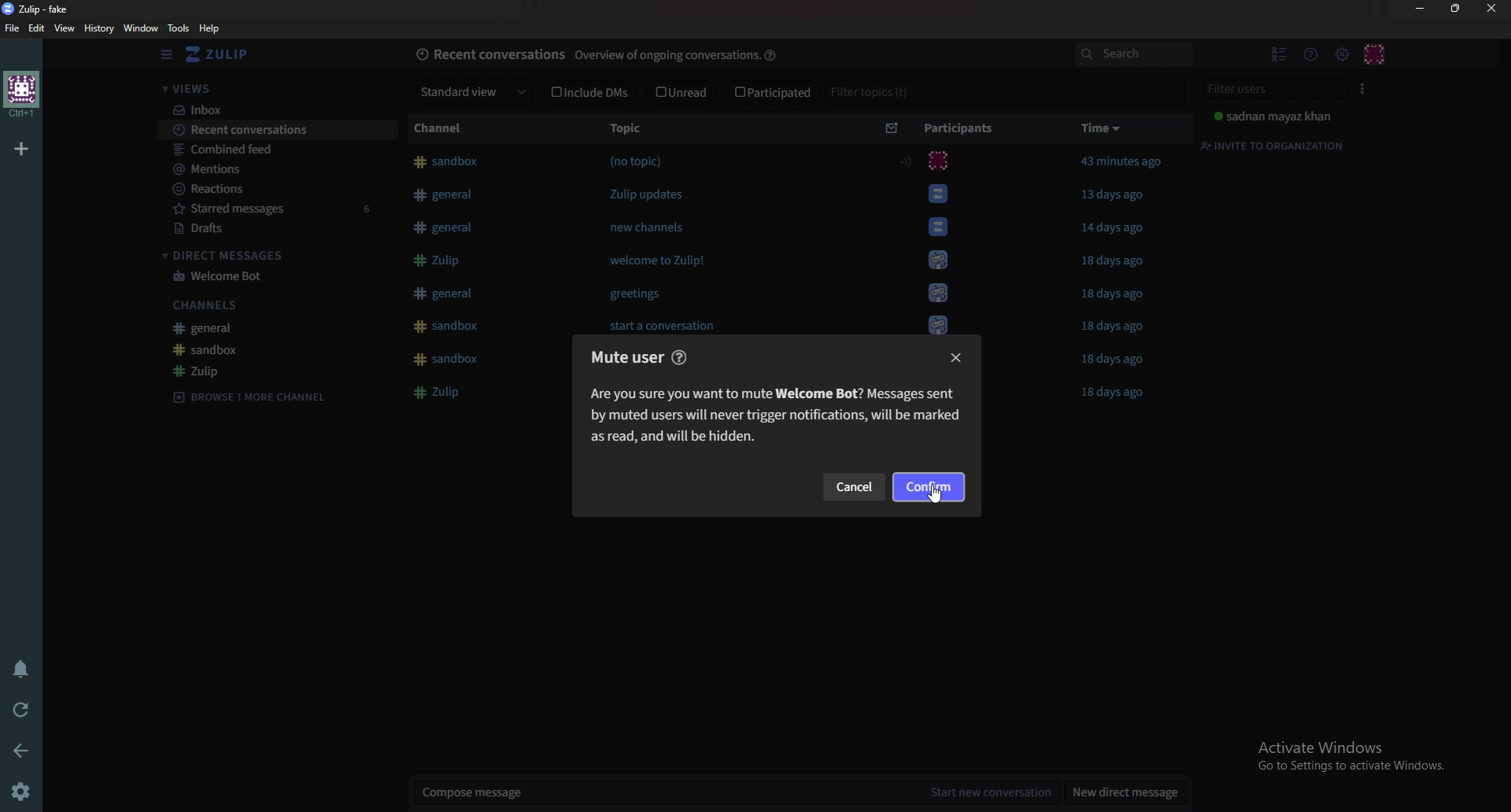 This screenshot has width=1511, height=812. I want to click on Channel, so click(445, 128).